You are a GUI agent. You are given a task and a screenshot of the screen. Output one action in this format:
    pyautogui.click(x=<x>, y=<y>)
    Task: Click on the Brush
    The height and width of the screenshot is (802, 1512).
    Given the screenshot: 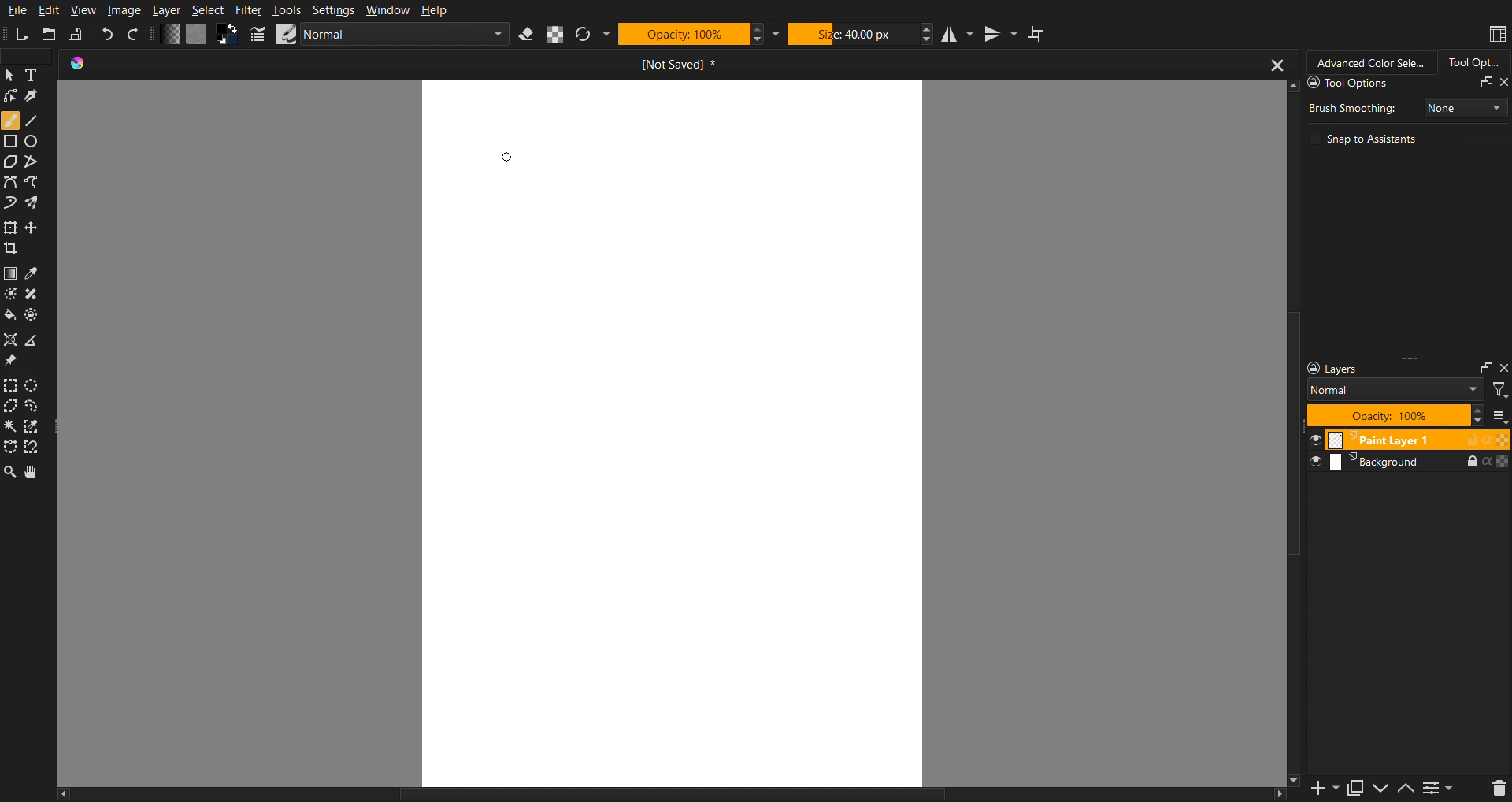 What is the action you would take?
    pyautogui.click(x=10, y=120)
    